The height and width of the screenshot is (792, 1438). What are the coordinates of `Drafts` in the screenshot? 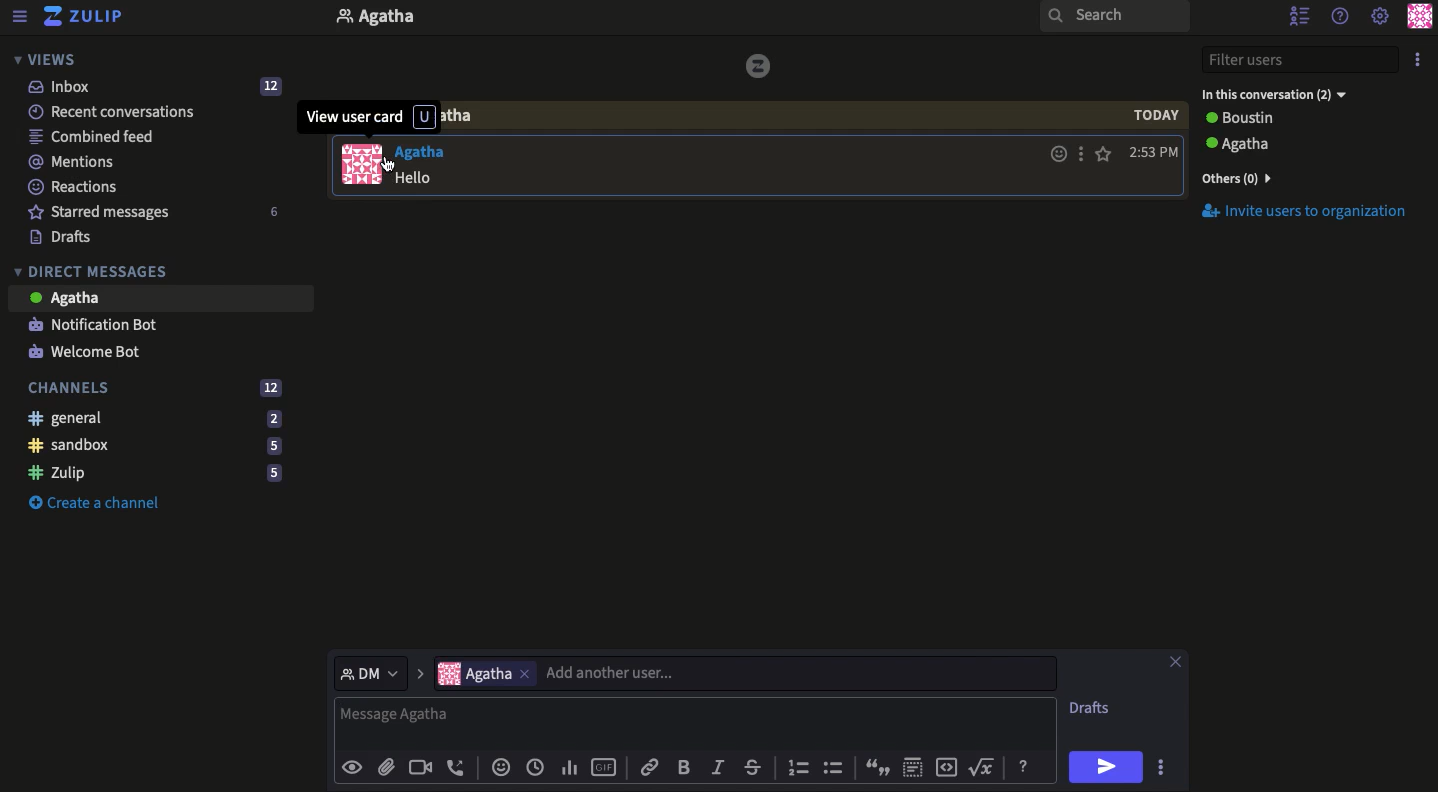 It's located at (68, 237).